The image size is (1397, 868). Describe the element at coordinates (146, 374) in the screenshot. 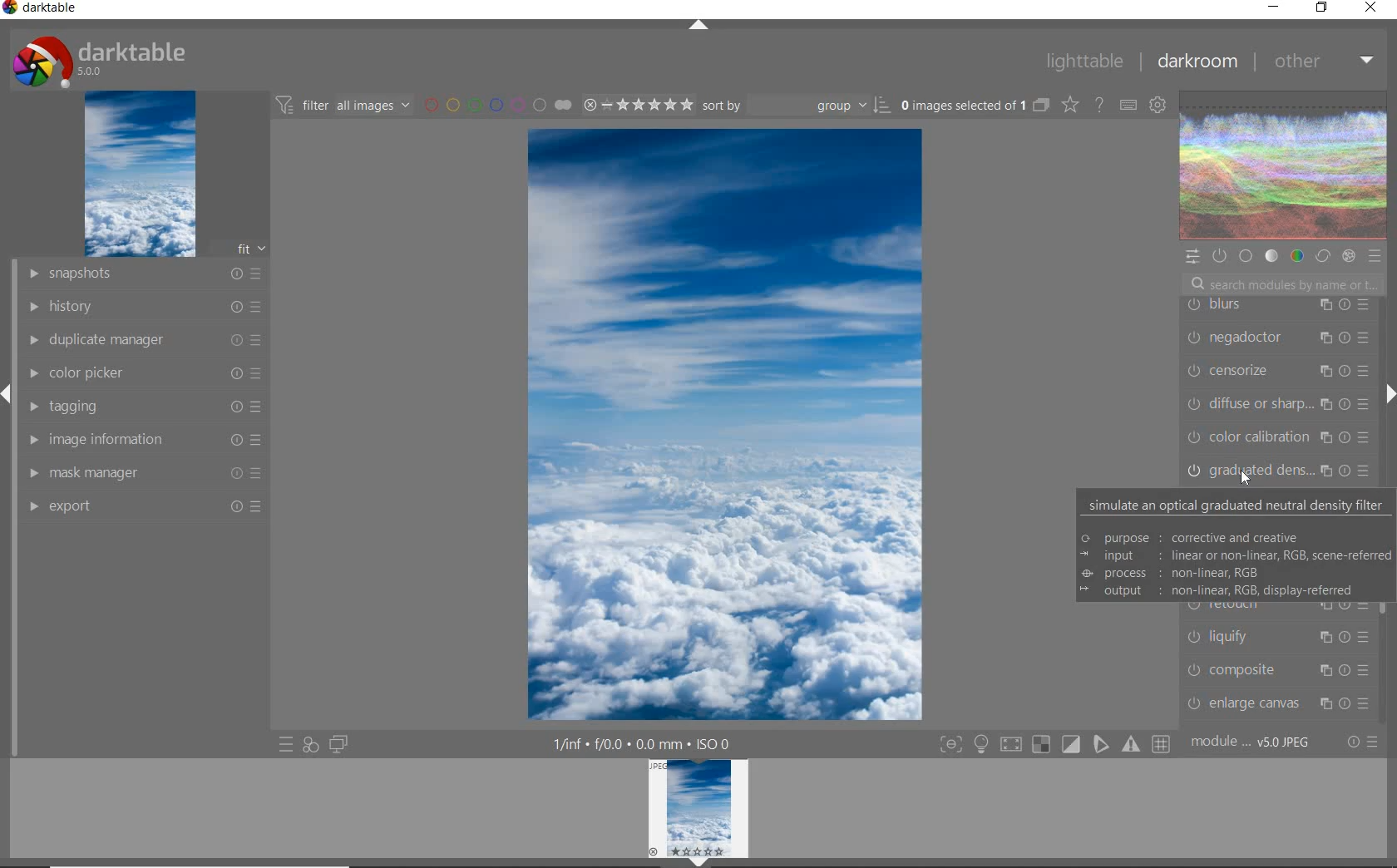

I see `COLOR PICKER` at that location.